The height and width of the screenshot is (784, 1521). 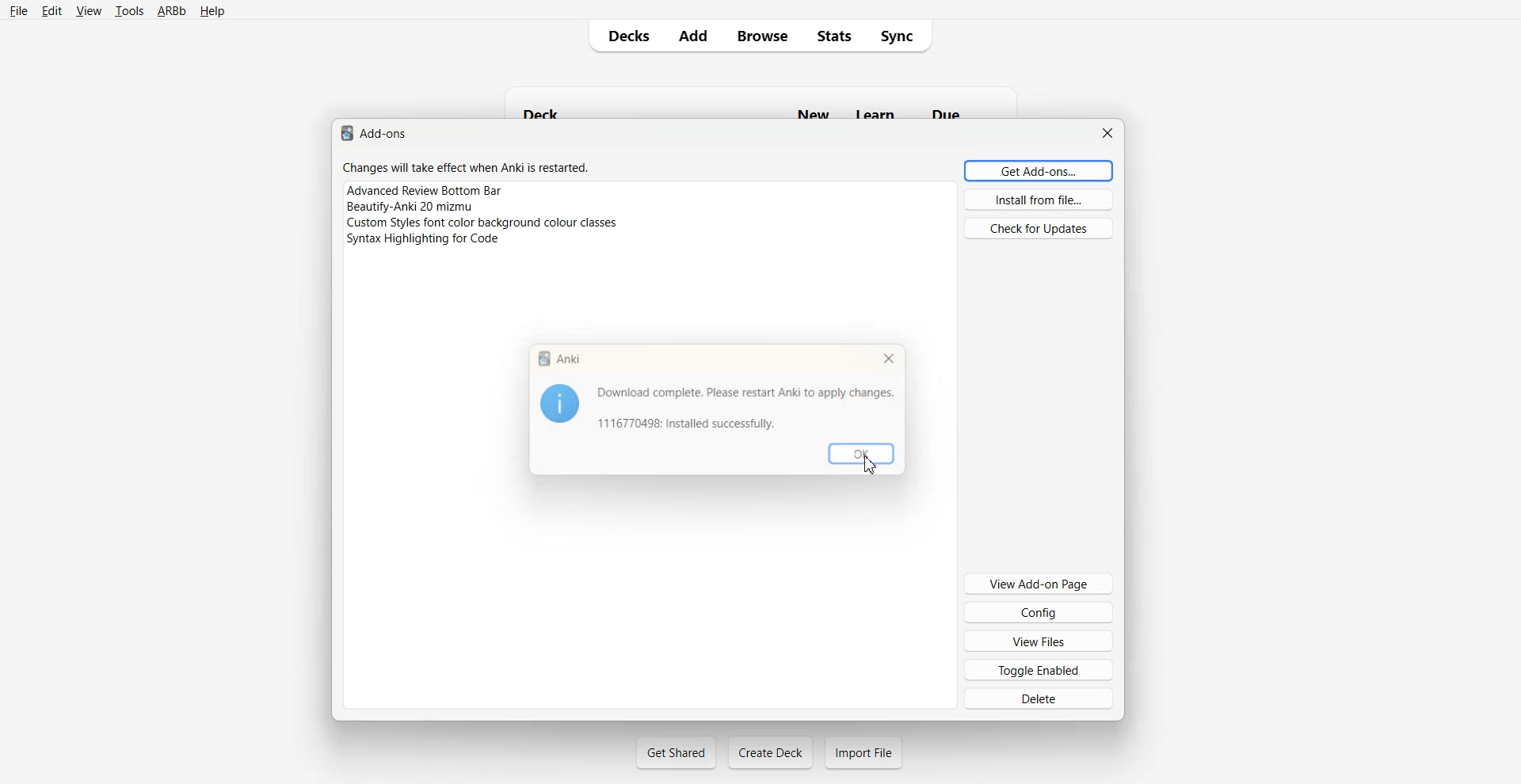 What do you see at coordinates (871, 465) in the screenshot?
I see `Cursor` at bounding box center [871, 465].